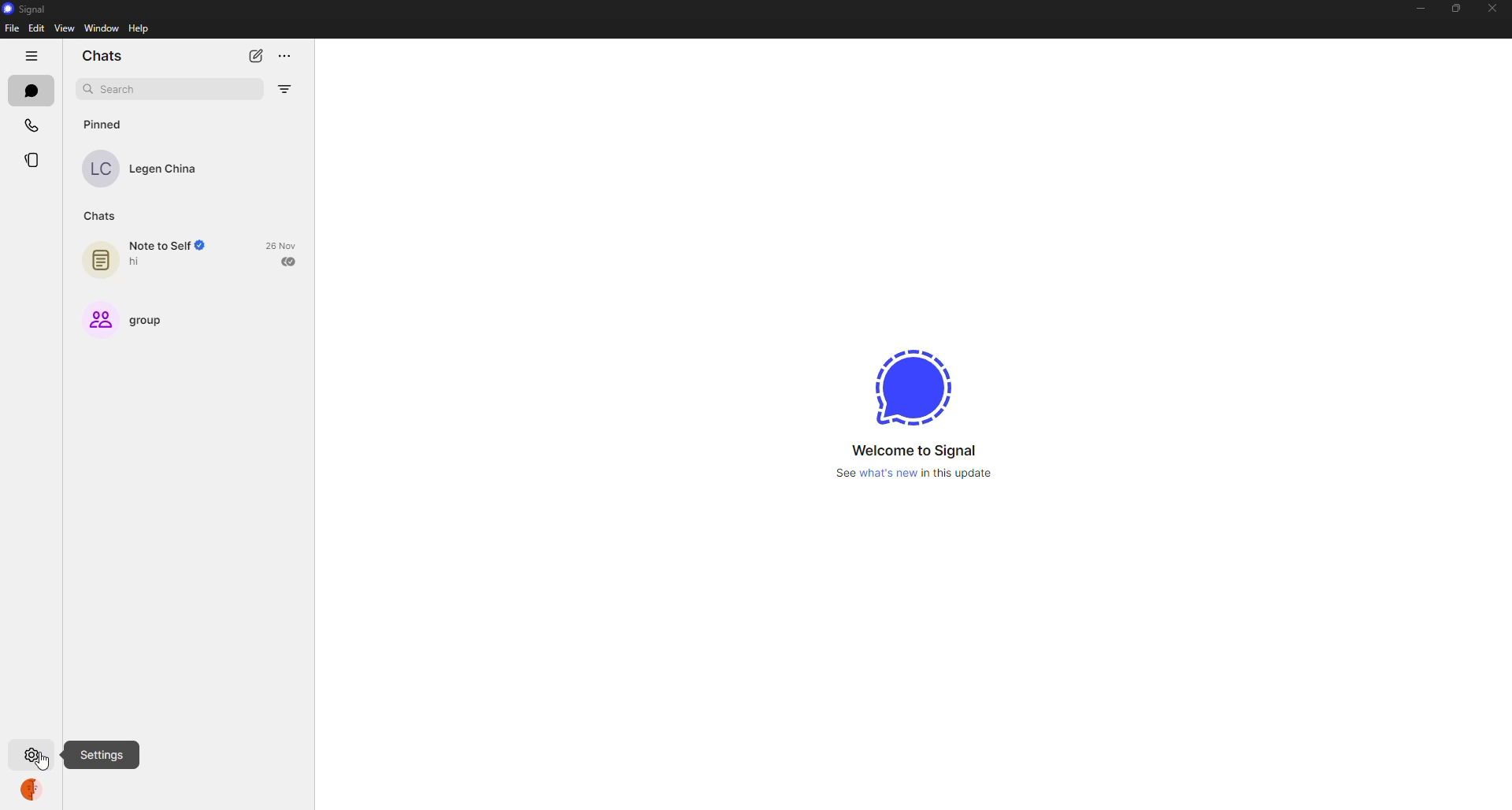  I want to click on hide tabs, so click(31, 55).